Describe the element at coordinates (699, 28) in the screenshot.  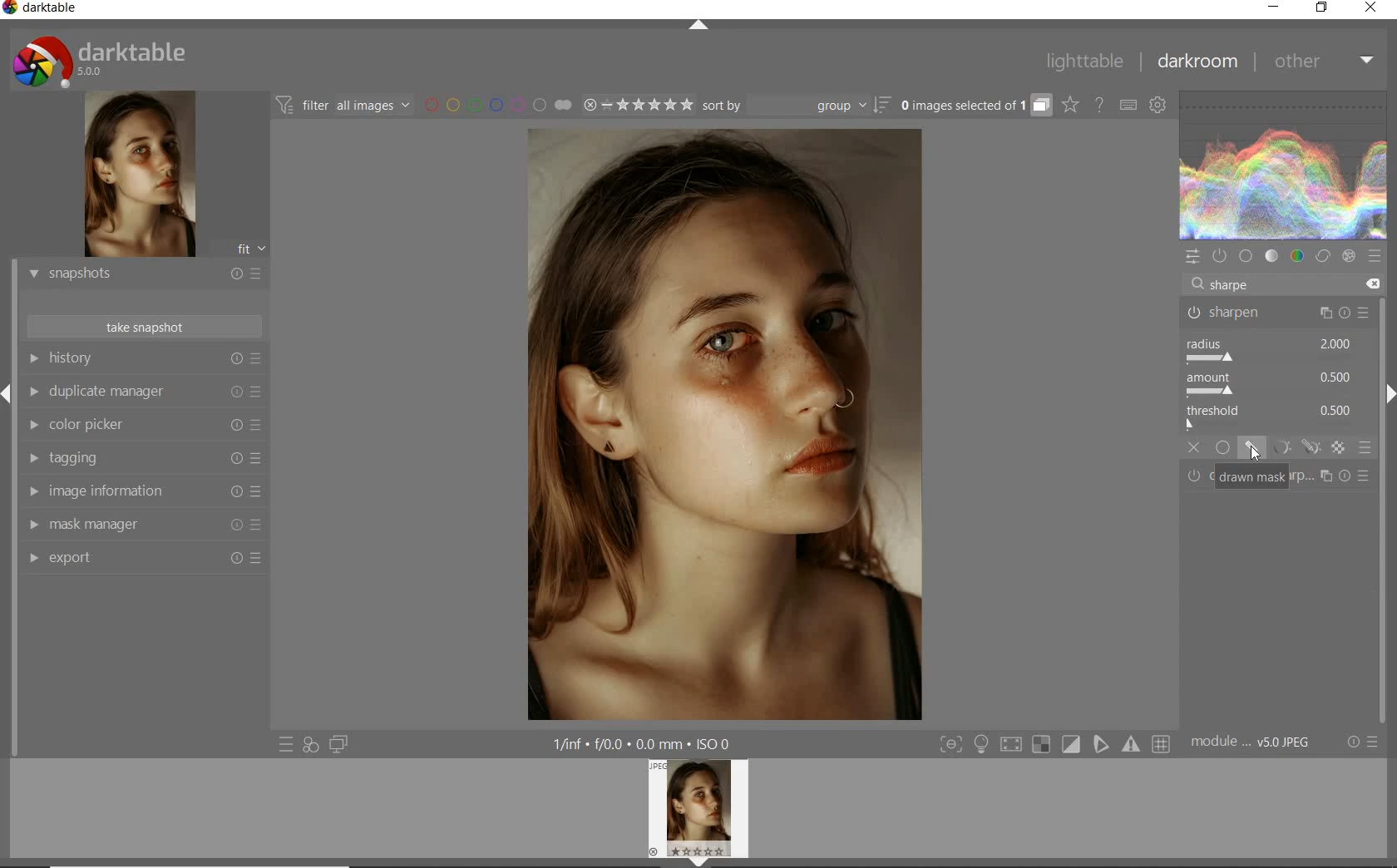
I see `expand/collapse` at that location.